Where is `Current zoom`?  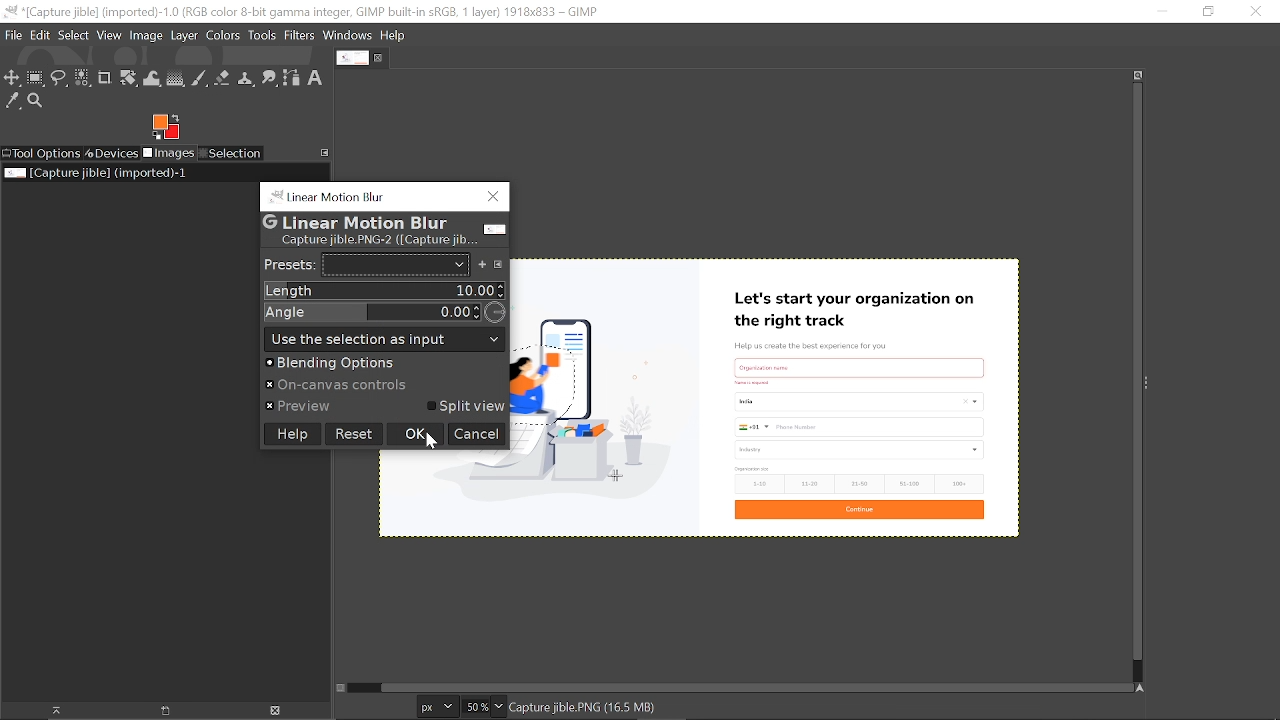
Current zoom is located at coordinates (474, 706).